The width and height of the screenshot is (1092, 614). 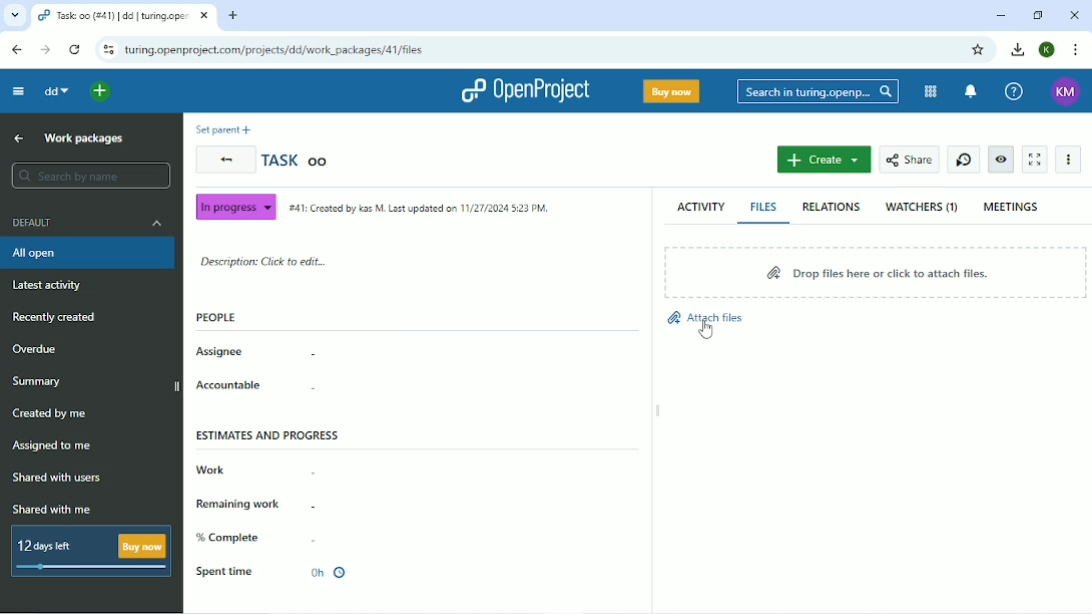 What do you see at coordinates (232, 538) in the screenshot?
I see `% Complete` at bounding box center [232, 538].